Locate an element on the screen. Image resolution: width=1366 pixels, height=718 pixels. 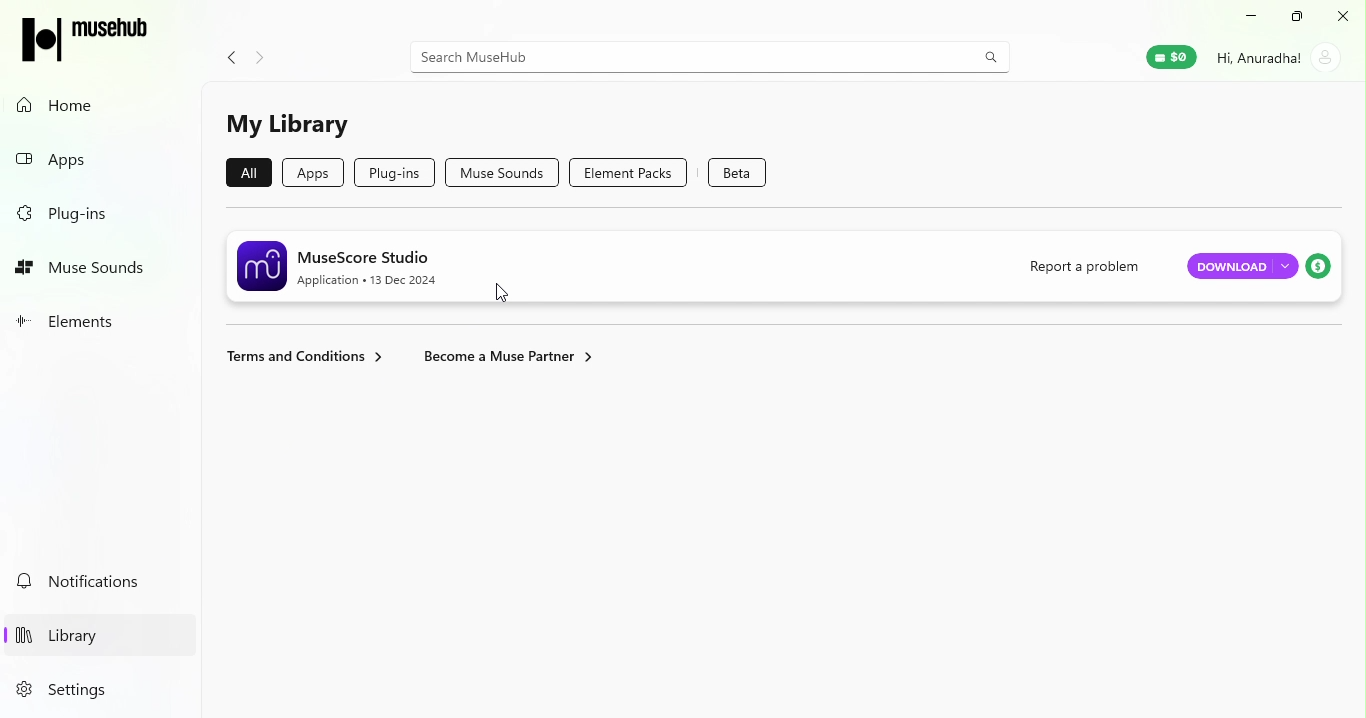
icon is located at coordinates (87, 35).